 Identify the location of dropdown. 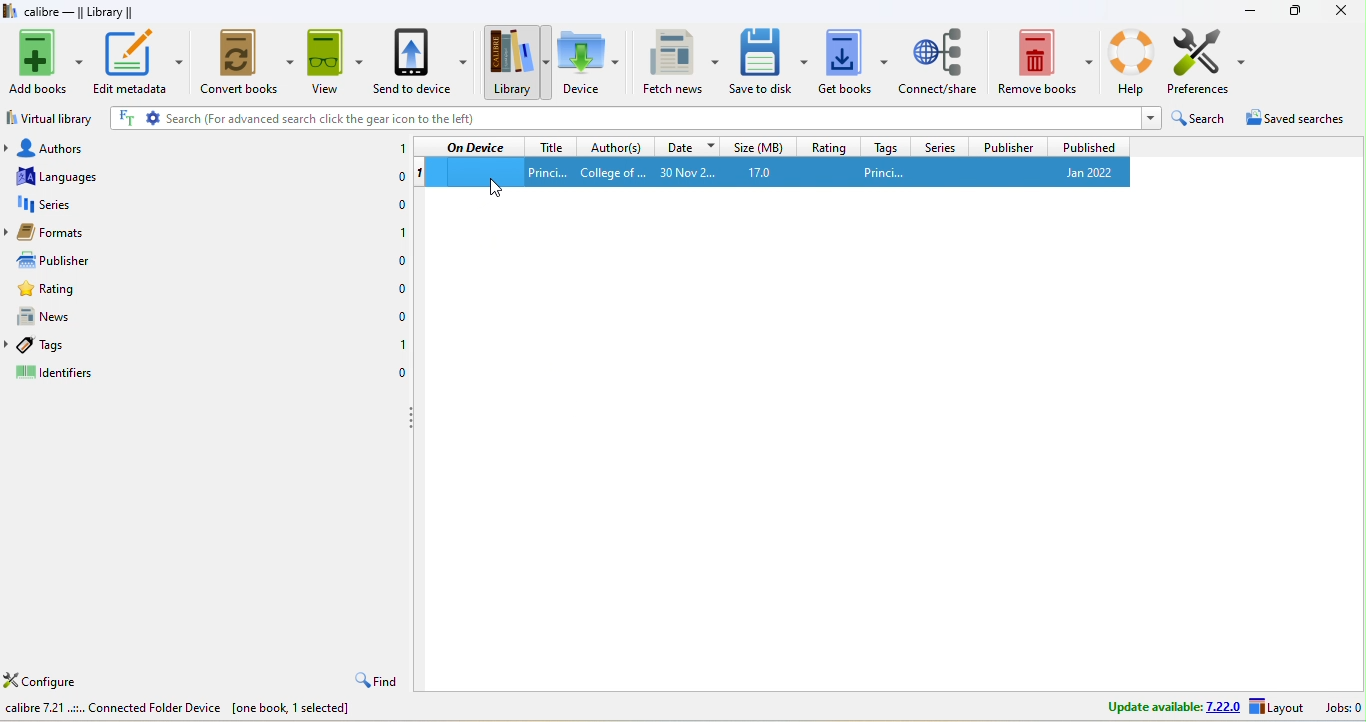
(1149, 118).